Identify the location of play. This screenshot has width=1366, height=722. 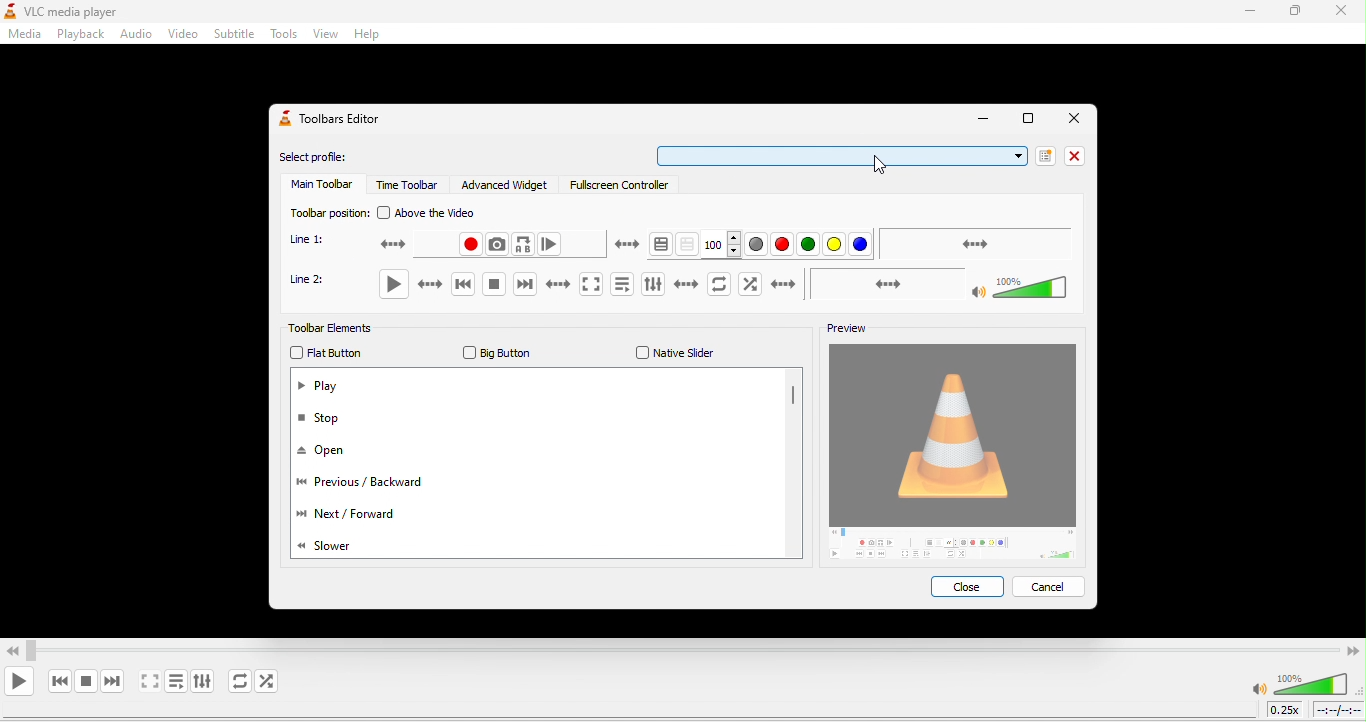
(413, 282).